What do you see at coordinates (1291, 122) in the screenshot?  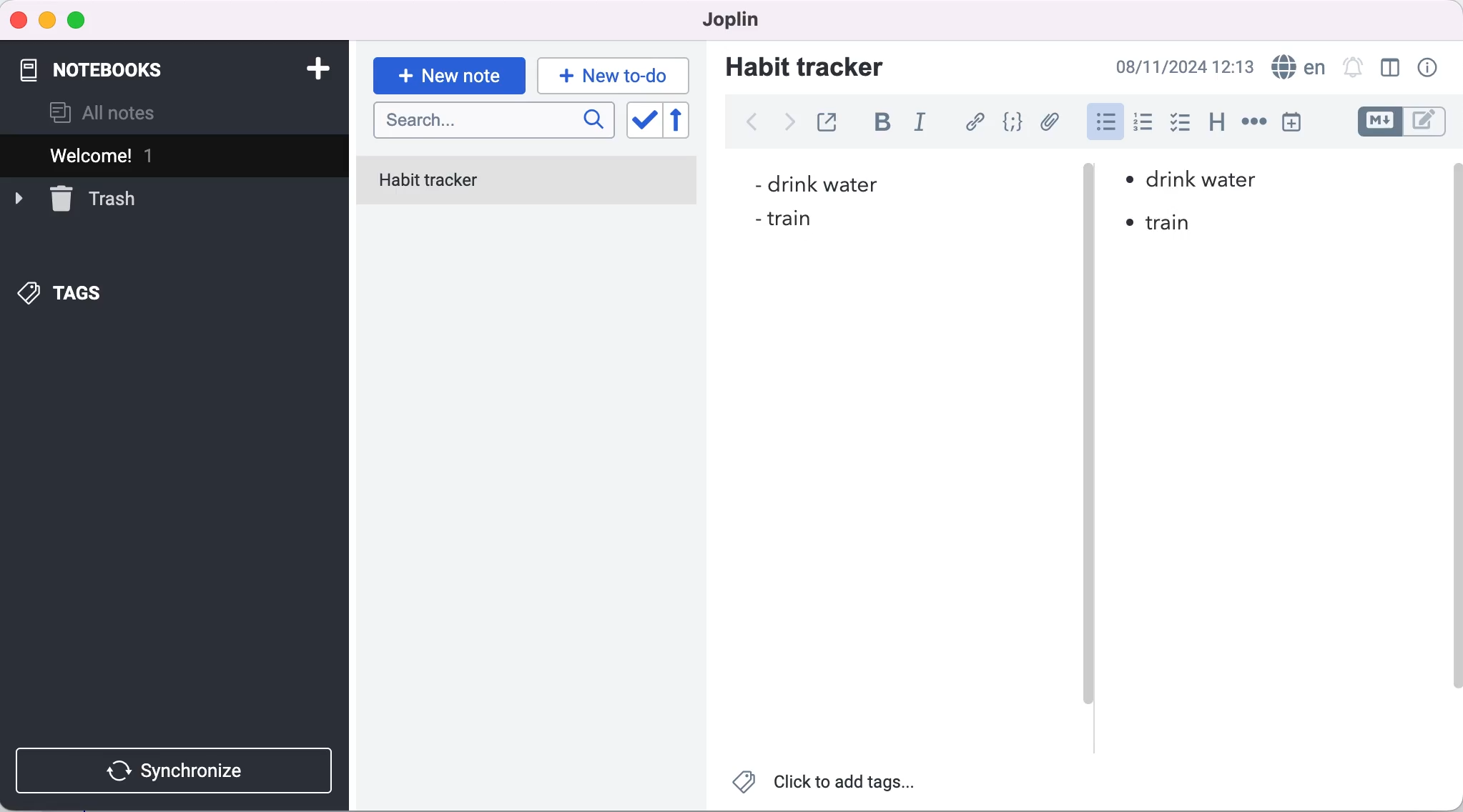 I see `insert time` at bounding box center [1291, 122].